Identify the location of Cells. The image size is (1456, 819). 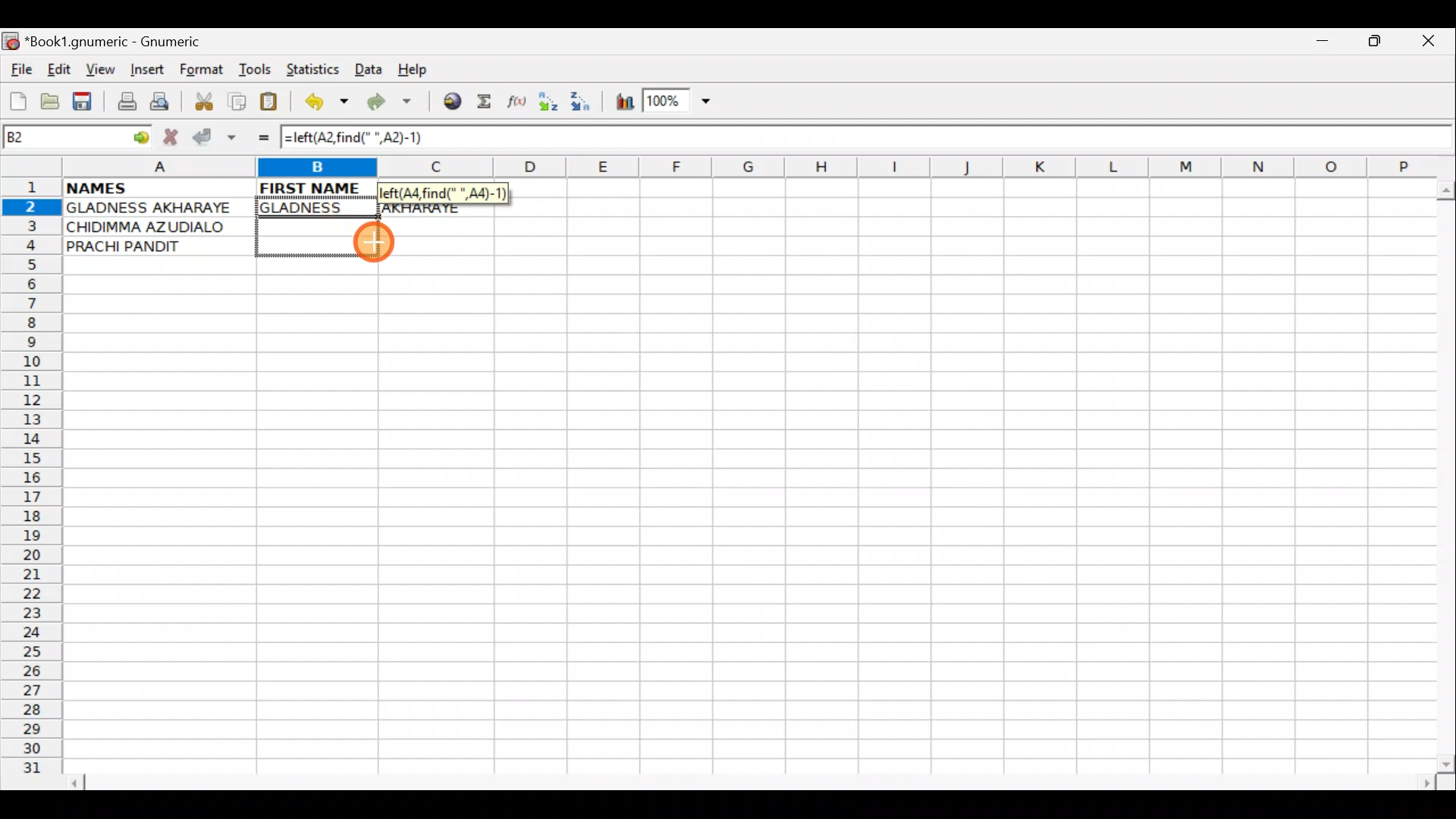
(742, 524).